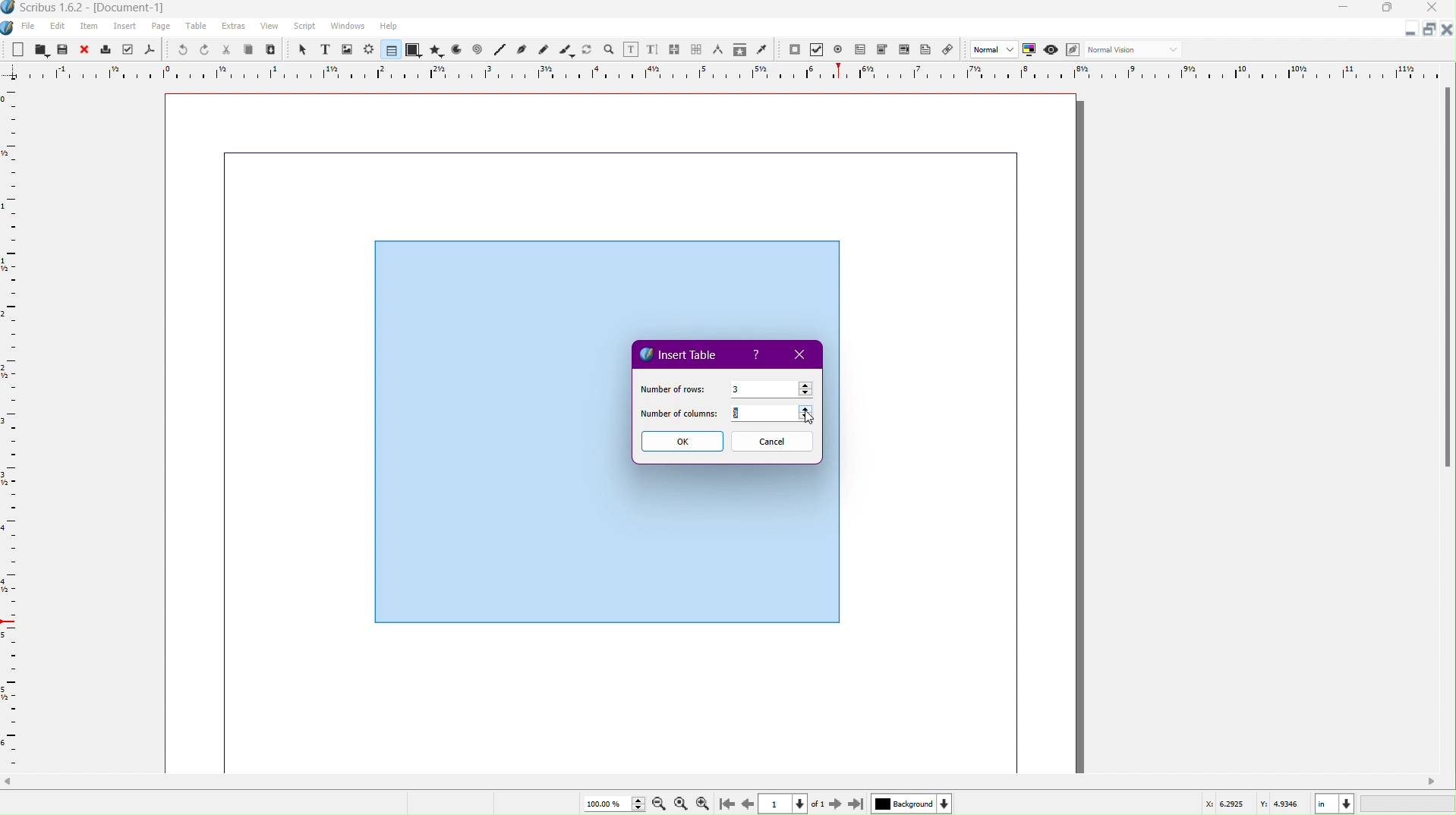 The height and width of the screenshot is (815, 1456). I want to click on Number of Columns, so click(680, 415).